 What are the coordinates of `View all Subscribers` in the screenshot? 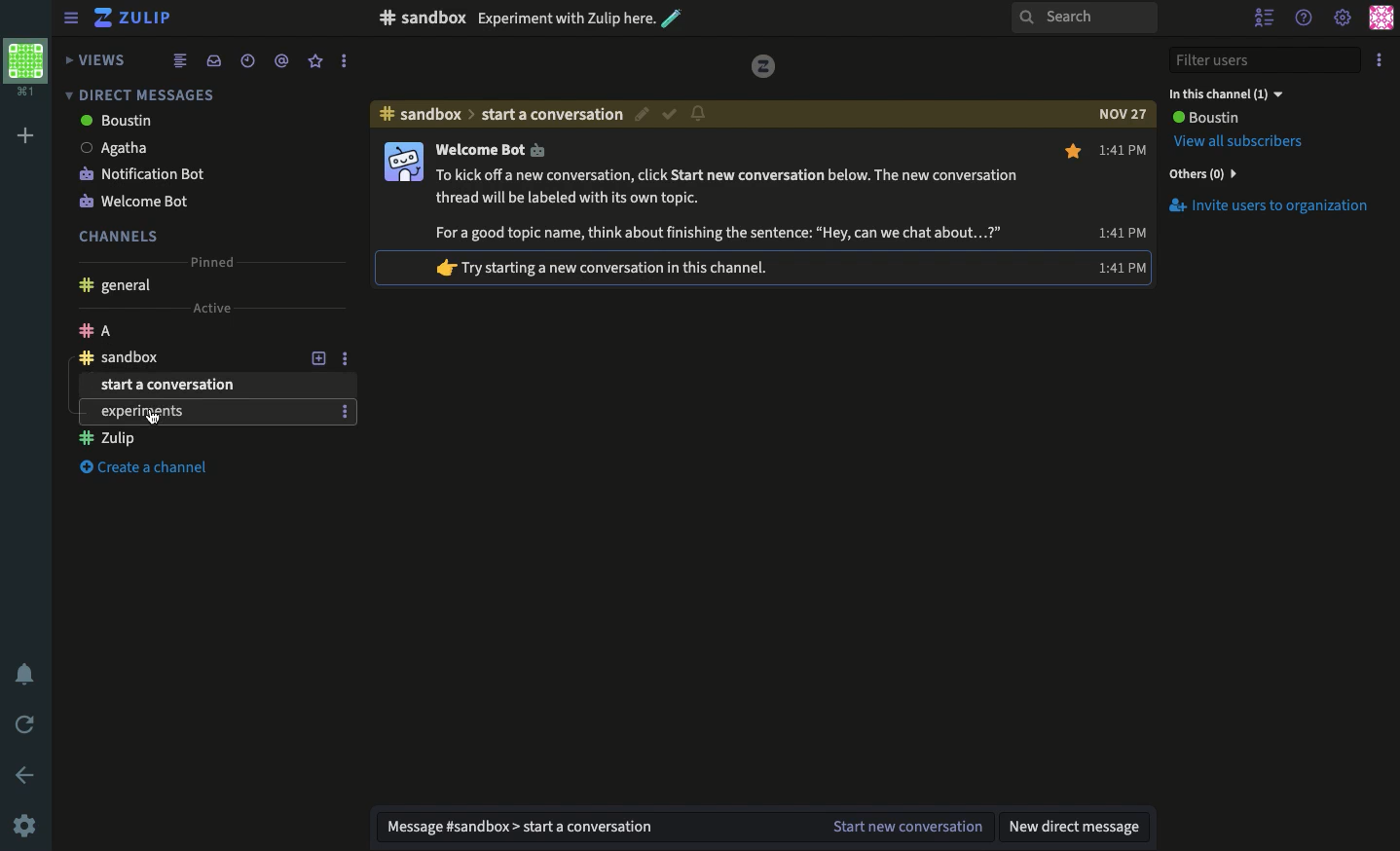 It's located at (1242, 141).